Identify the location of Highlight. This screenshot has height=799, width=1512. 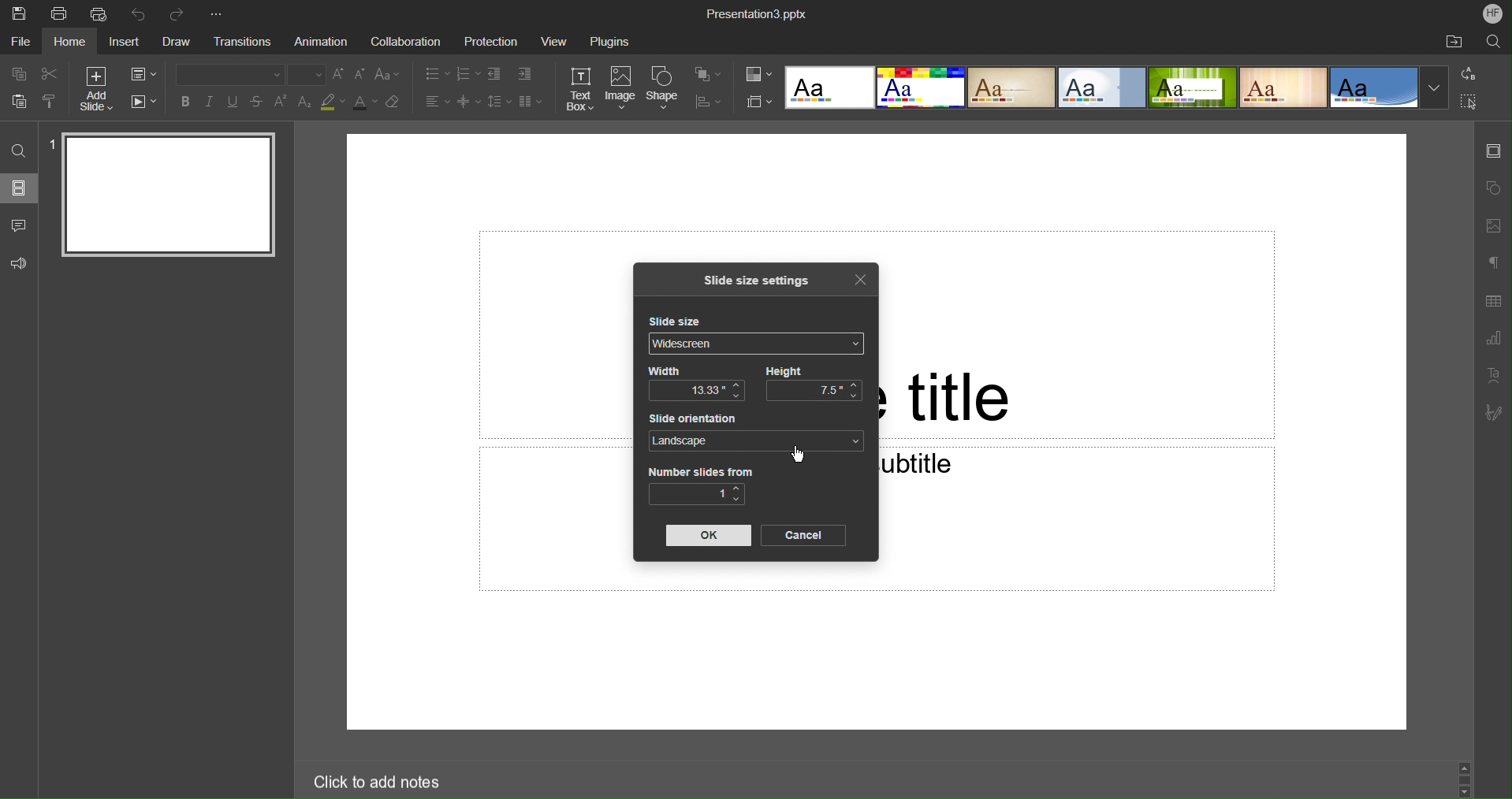
(333, 103).